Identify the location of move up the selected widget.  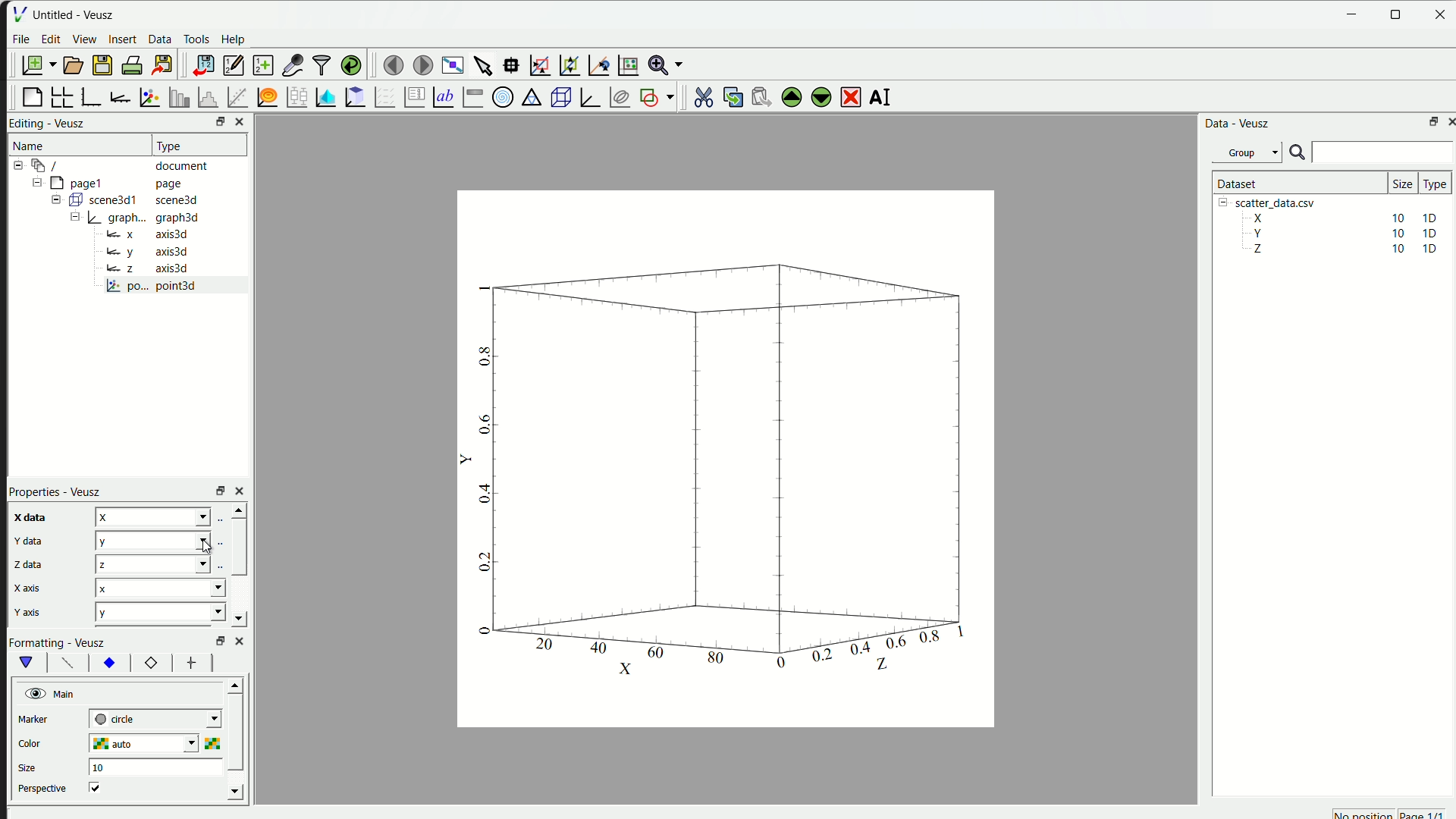
(790, 96).